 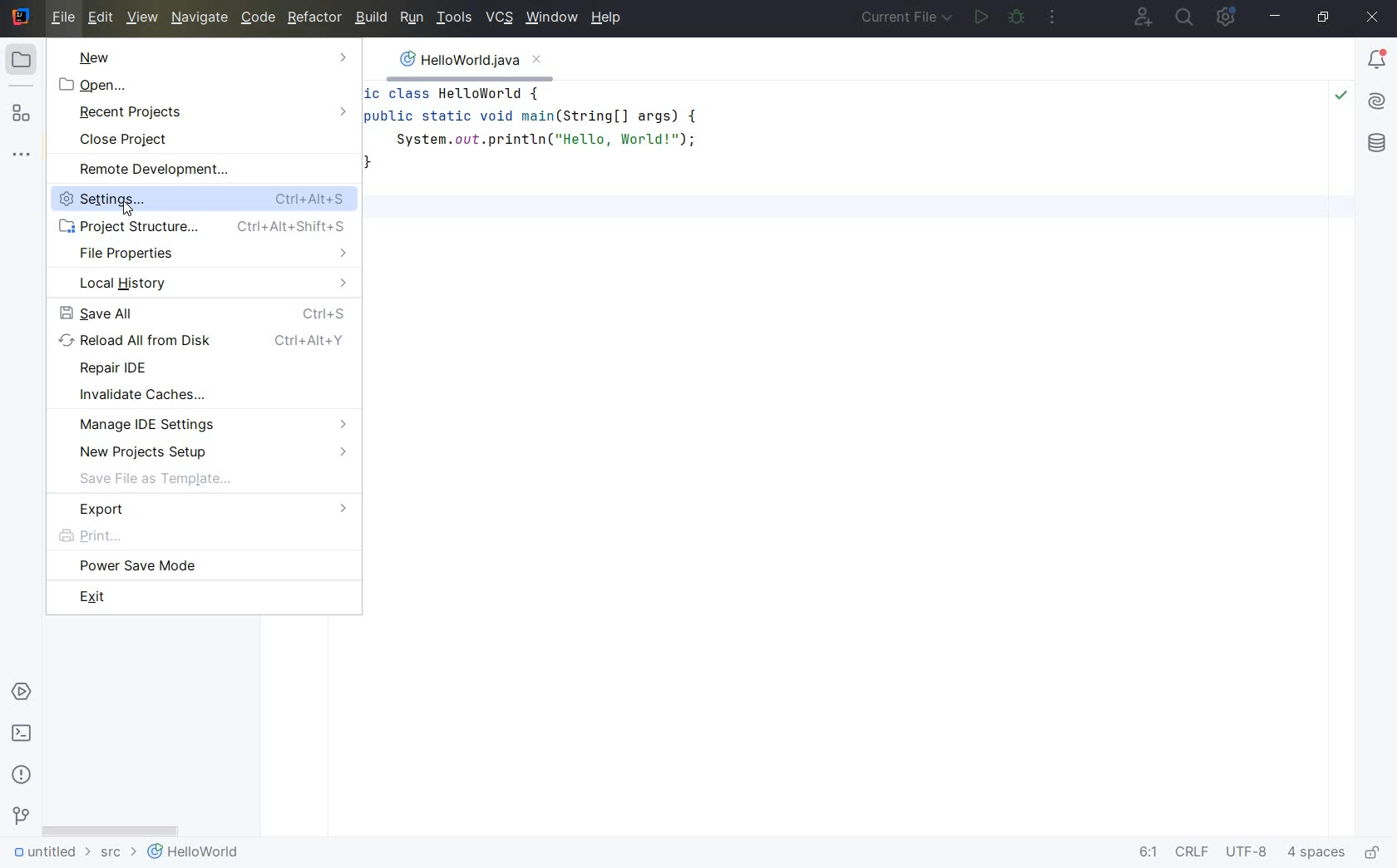 I want to click on help, so click(x=610, y=19).